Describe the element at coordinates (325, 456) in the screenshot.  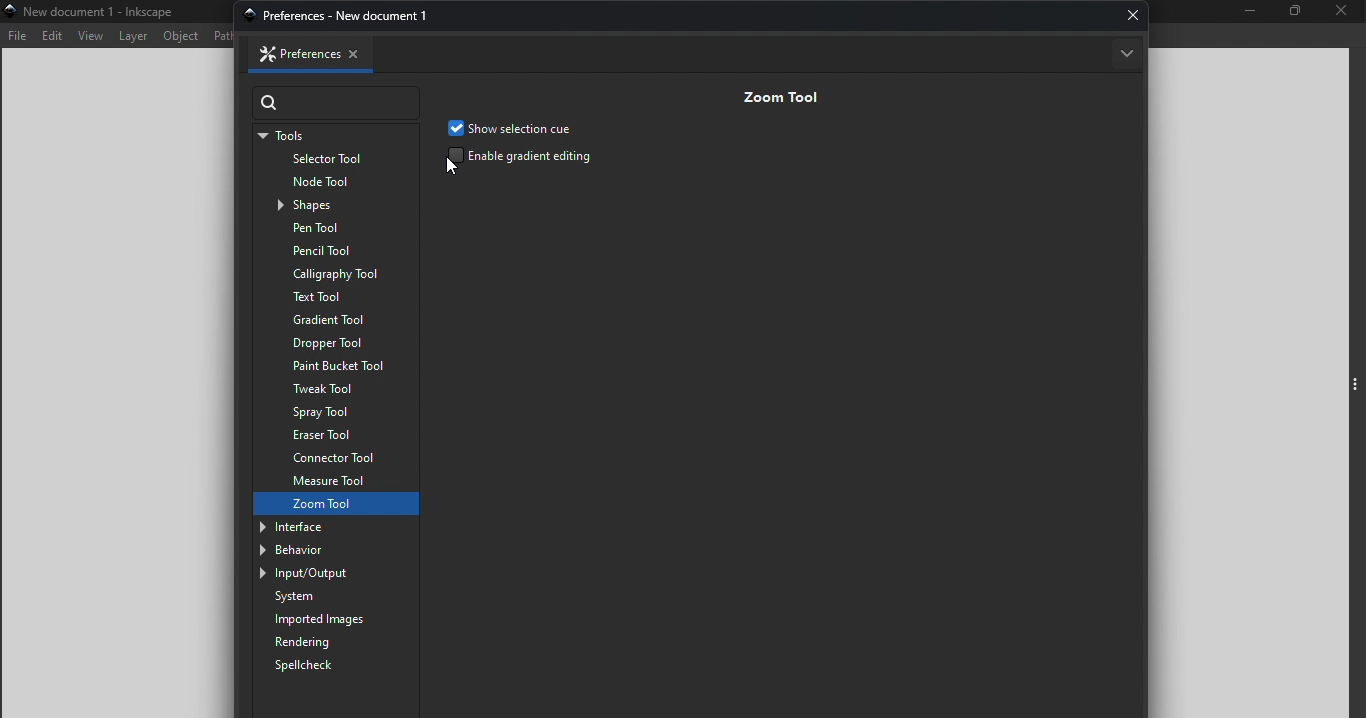
I see `Connector tool` at that location.